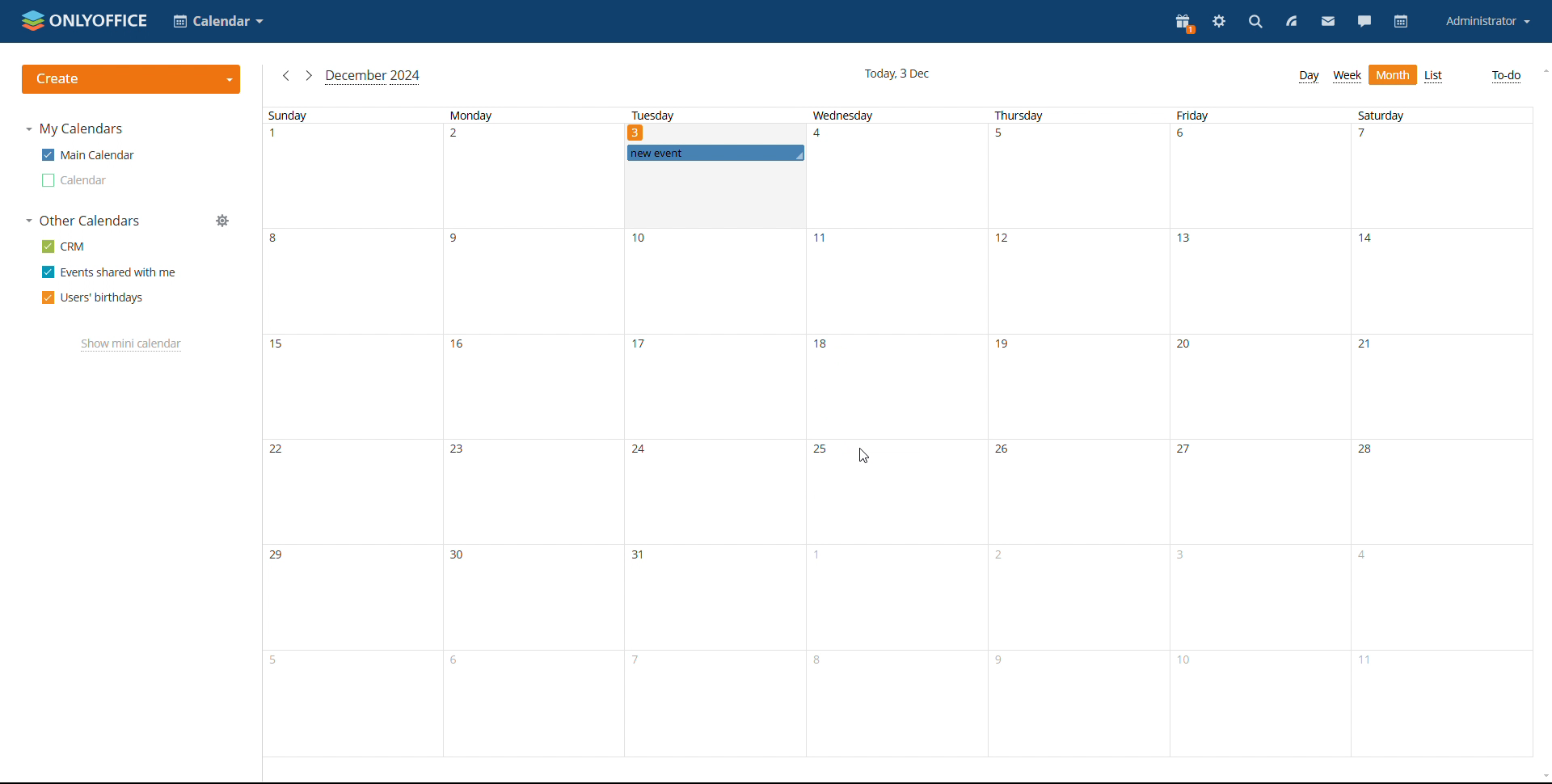 This screenshot has height=784, width=1552. What do you see at coordinates (1078, 432) in the screenshot?
I see `thursday` at bounding box center [1078, 432].